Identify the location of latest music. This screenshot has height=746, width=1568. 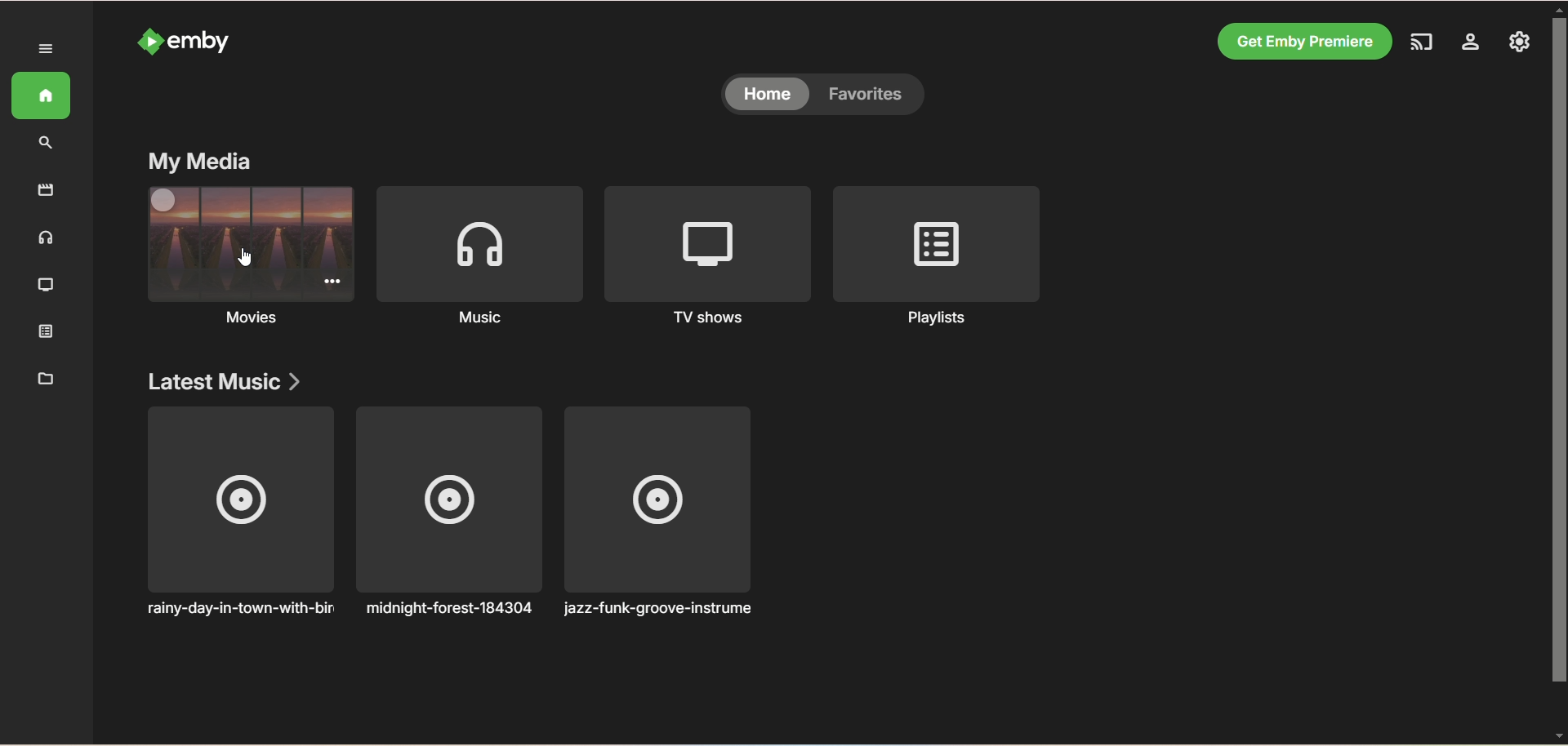
(227, 383).